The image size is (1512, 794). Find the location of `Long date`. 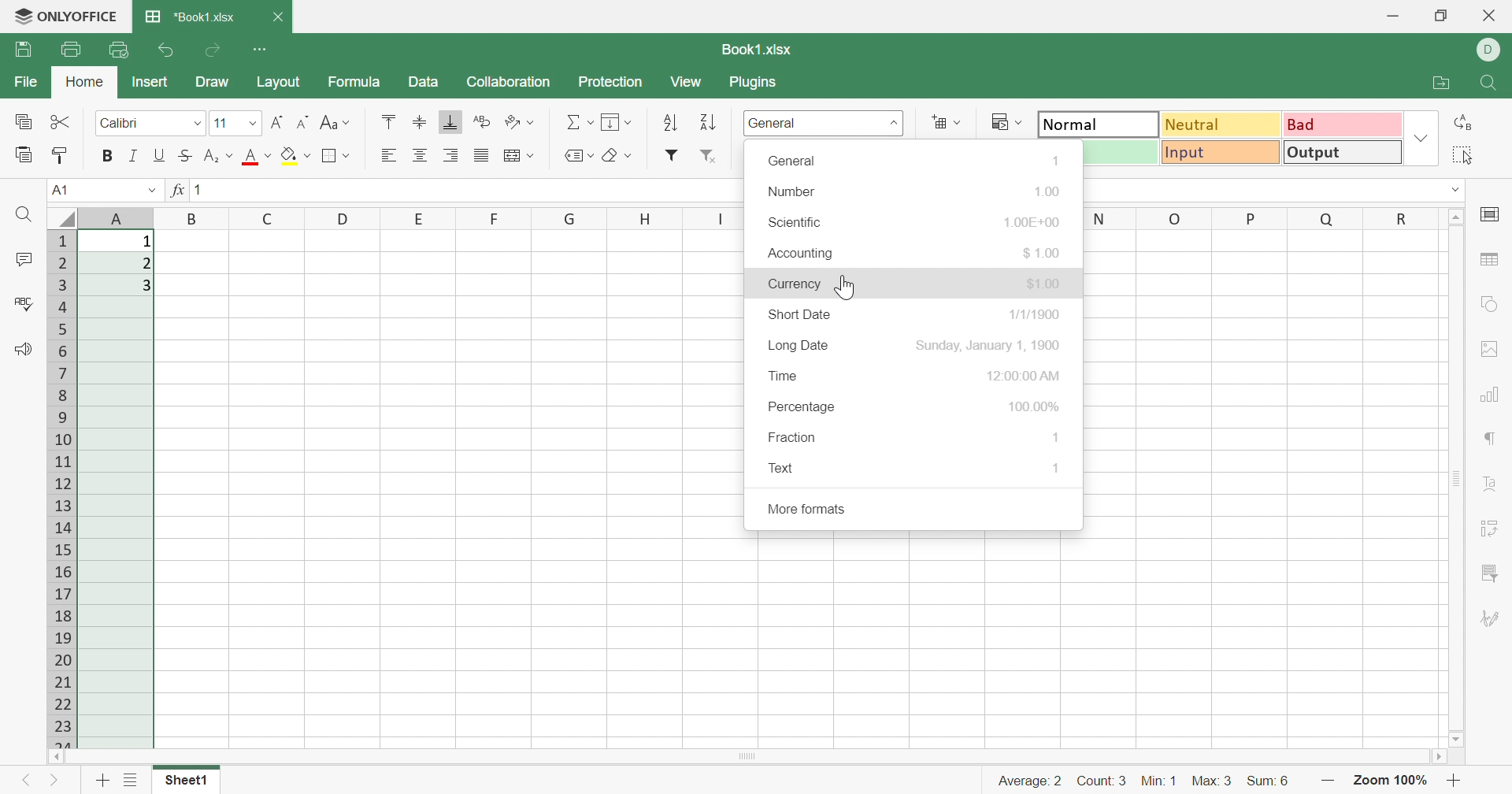

Long date is located at coordinates (799, 346).